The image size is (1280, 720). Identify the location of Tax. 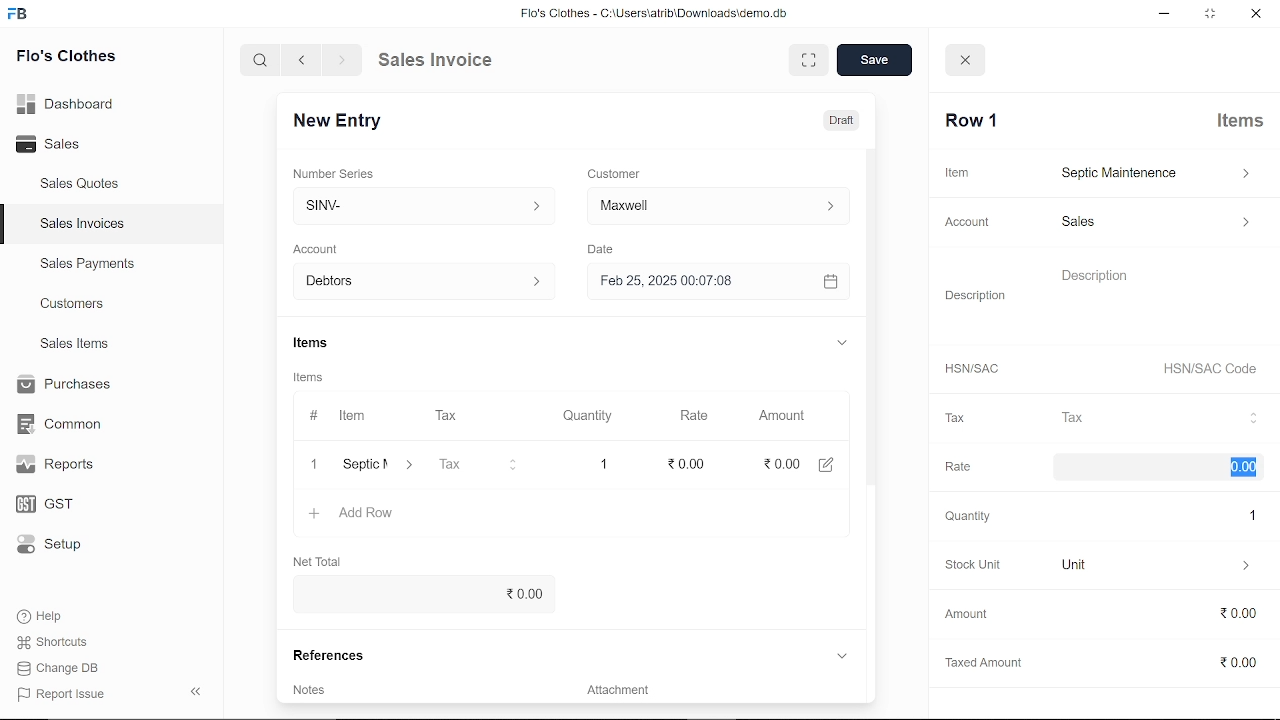
(461, 417).